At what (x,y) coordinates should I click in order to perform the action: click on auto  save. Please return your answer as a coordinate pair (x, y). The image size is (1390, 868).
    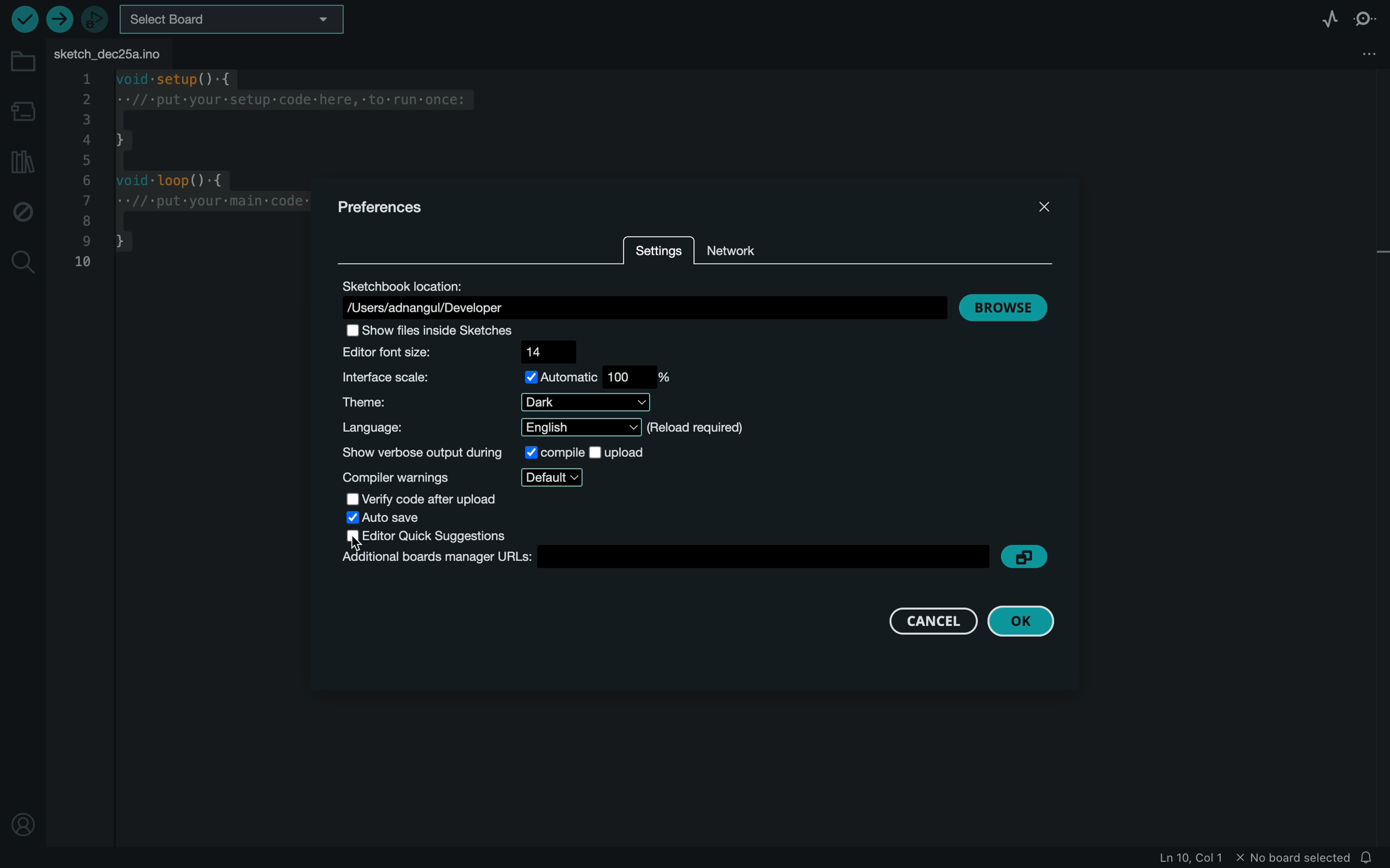
    Looking at the image, I should click on (393, 518).